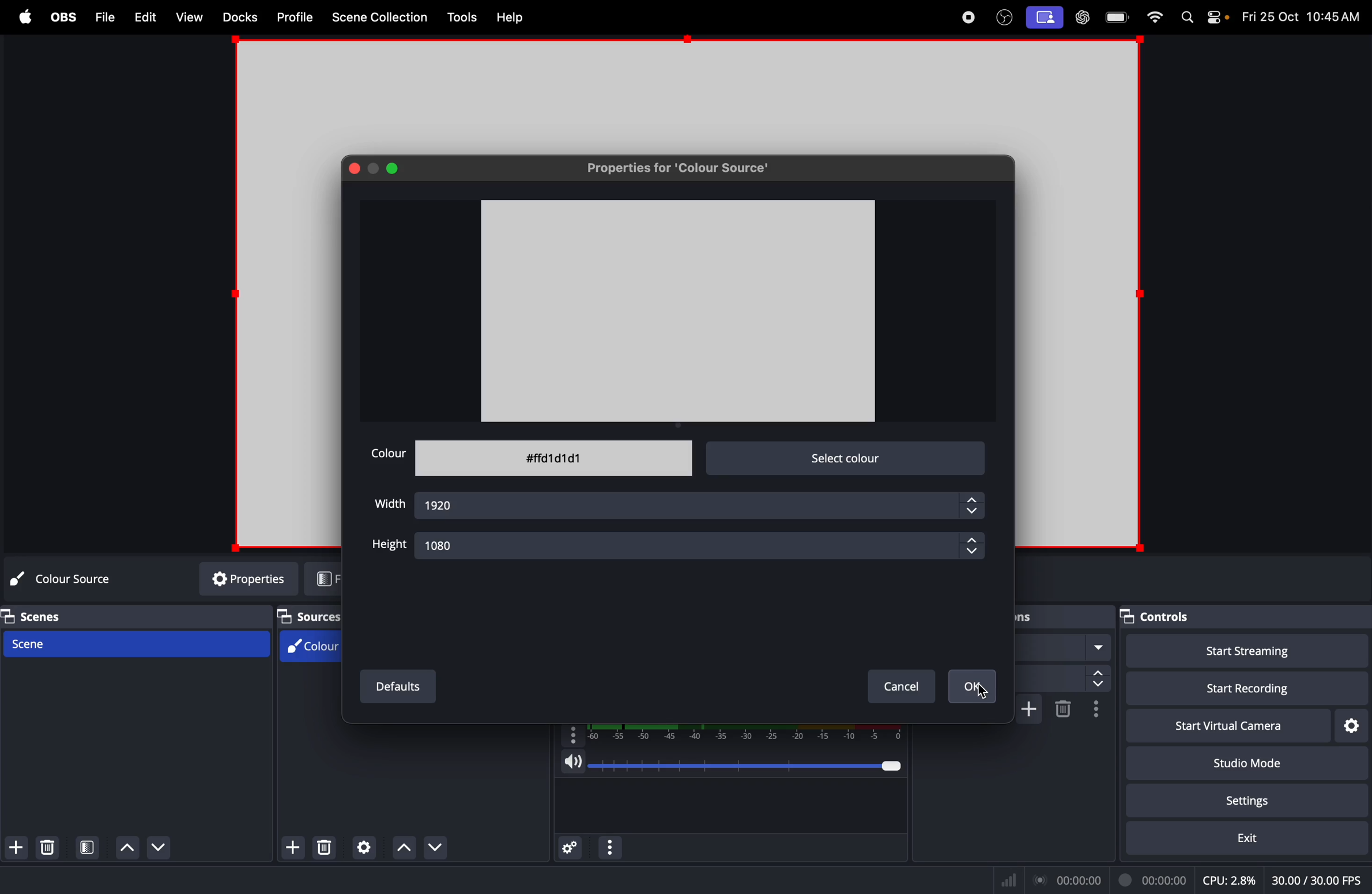 The image size is (1372, 894). I want to click on Move scene up, so click(165, 850).